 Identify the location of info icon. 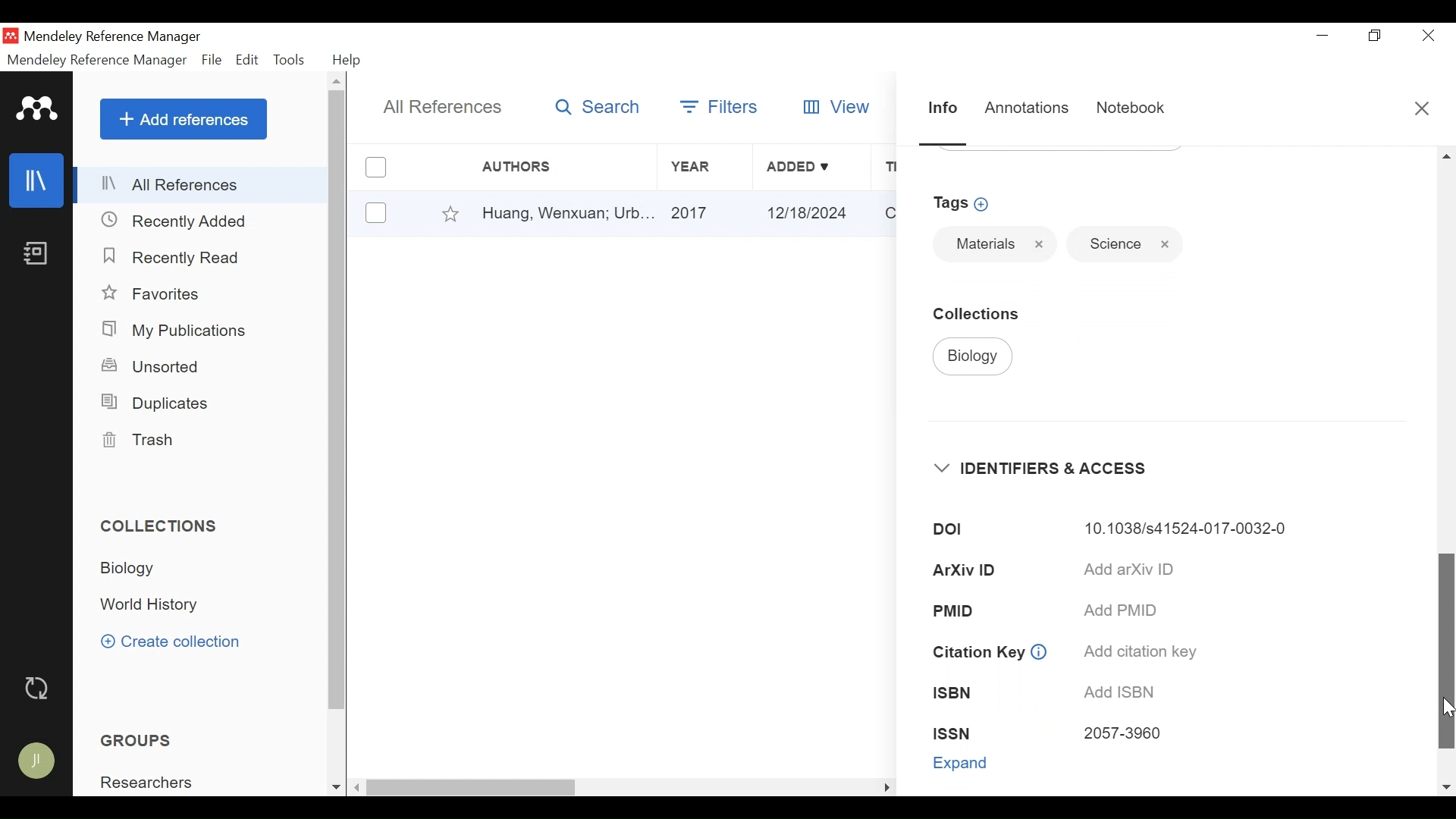
(1039, 653).